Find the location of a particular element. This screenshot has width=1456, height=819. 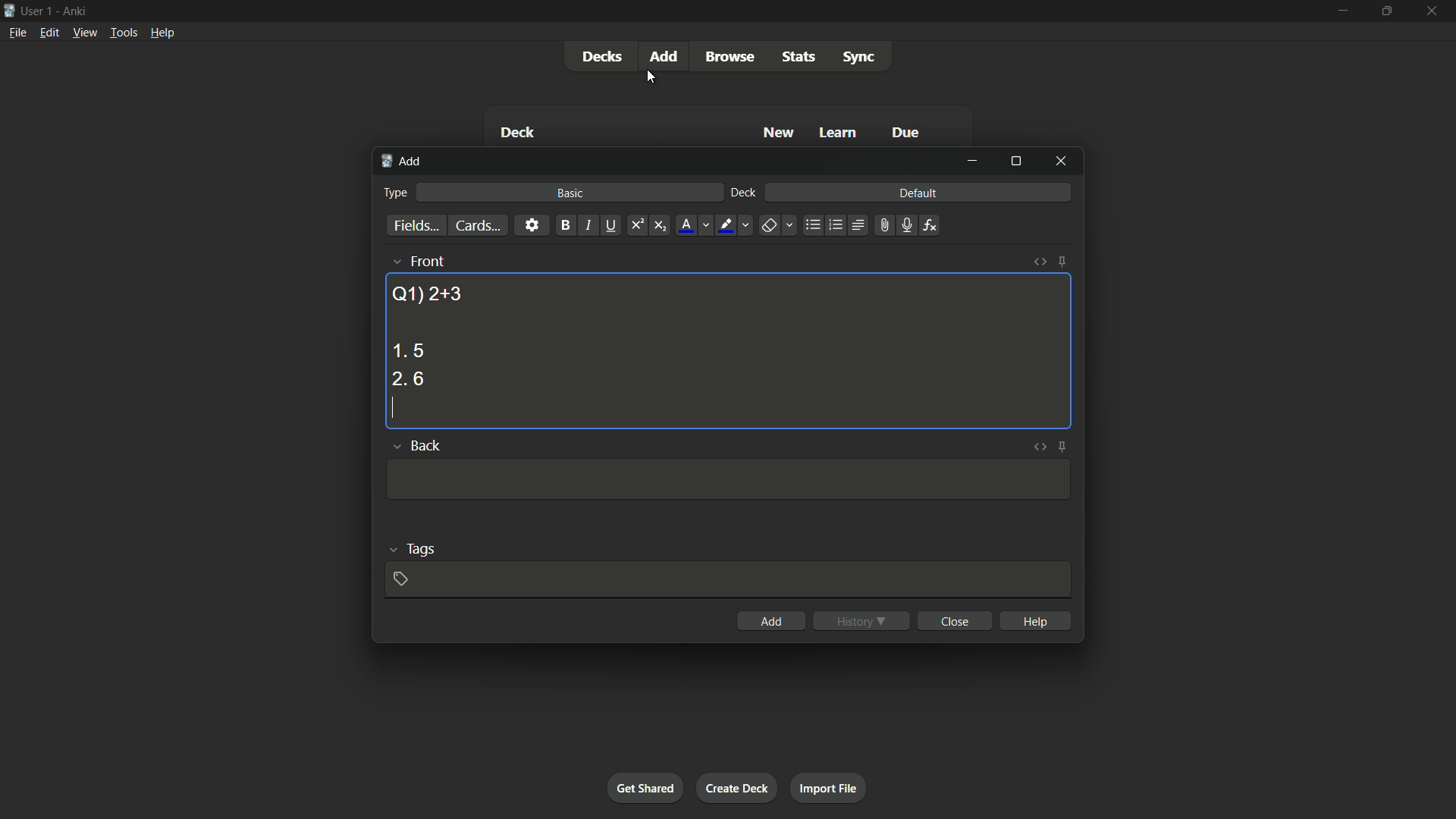

cursor is located at coordinates (651, 78).